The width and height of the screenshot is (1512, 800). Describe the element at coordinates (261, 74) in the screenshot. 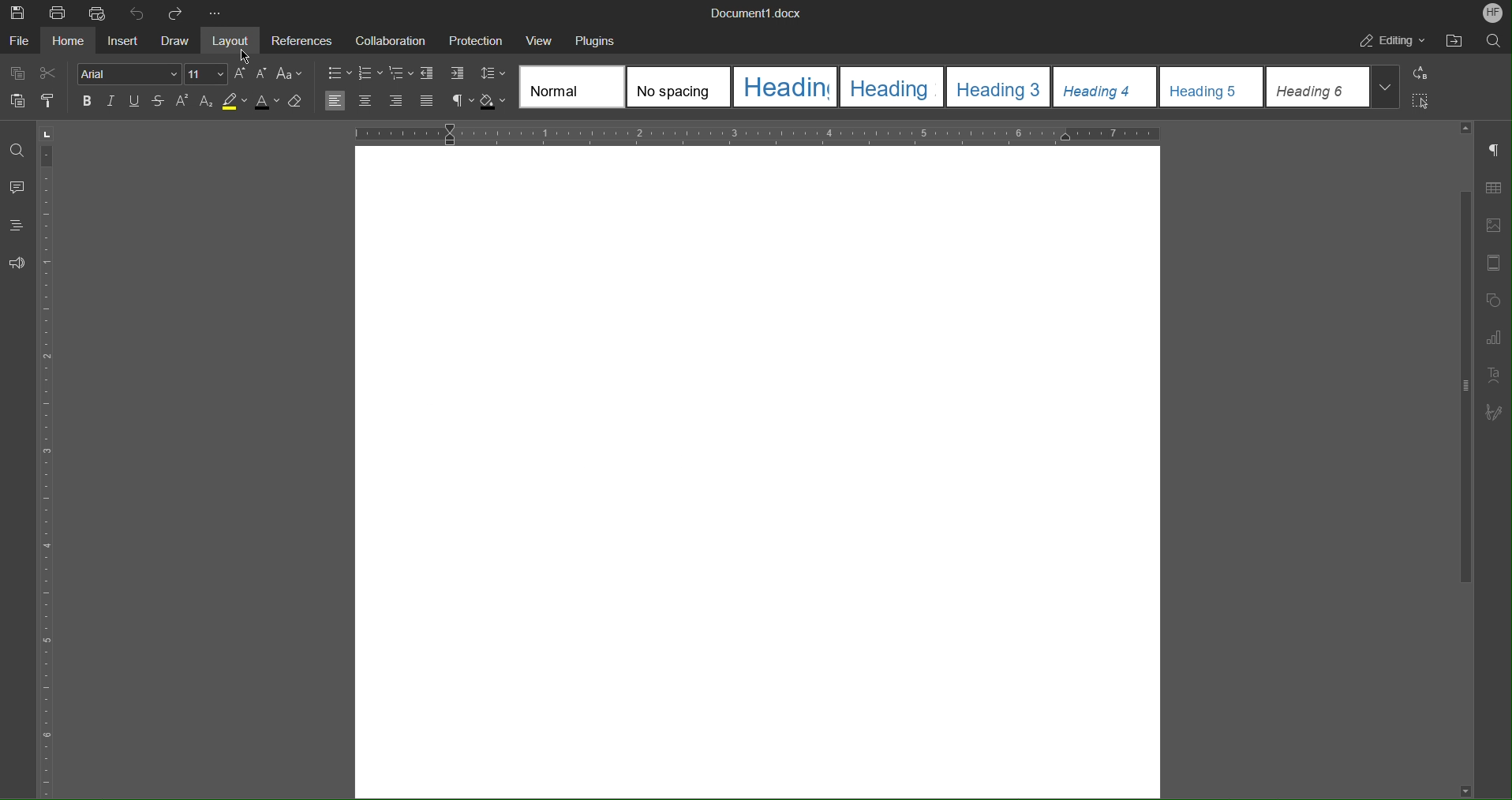

I see `Decrease size` at that location.